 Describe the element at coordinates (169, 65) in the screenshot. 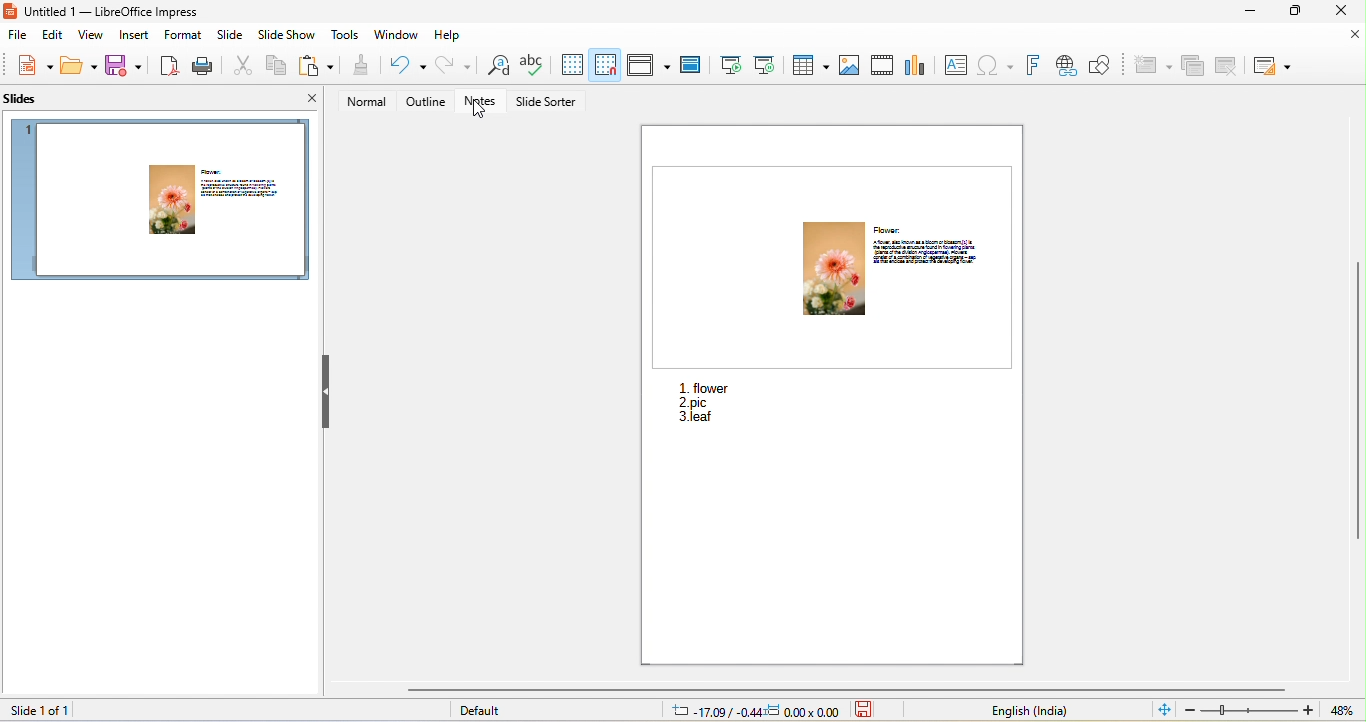

I see `export directly as pdf` at that location.